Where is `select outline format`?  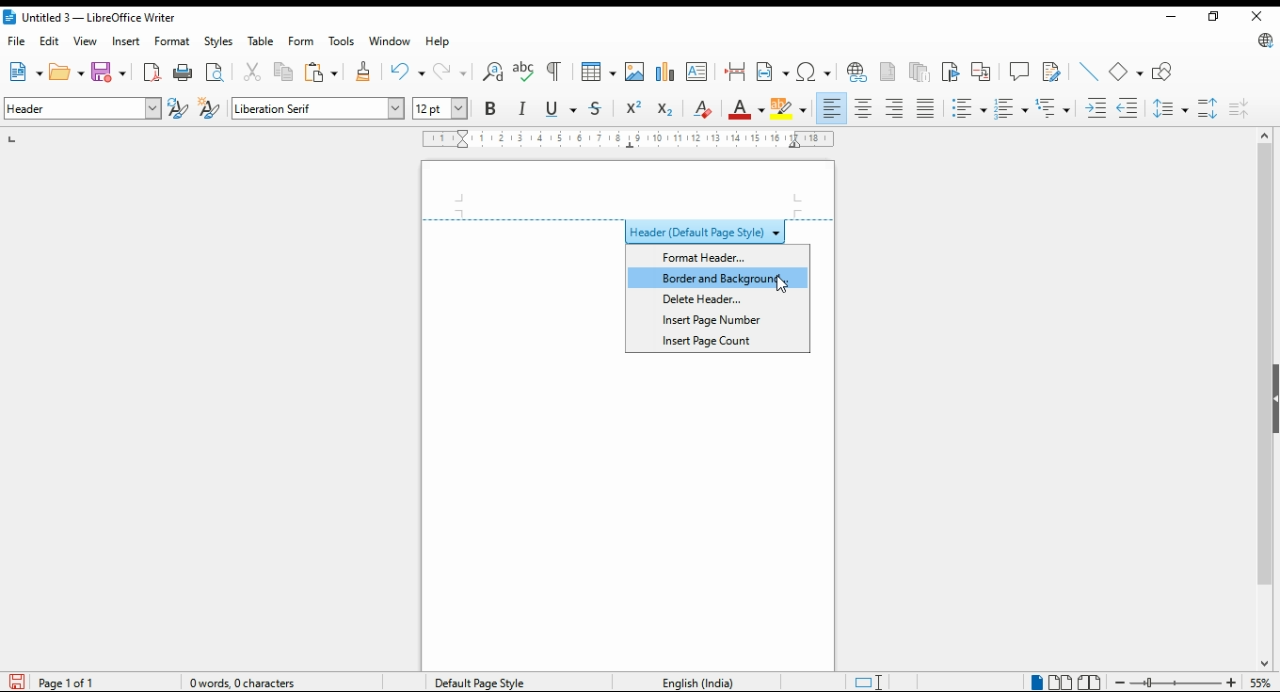
select outline format is located at coordinates (1053, 107).